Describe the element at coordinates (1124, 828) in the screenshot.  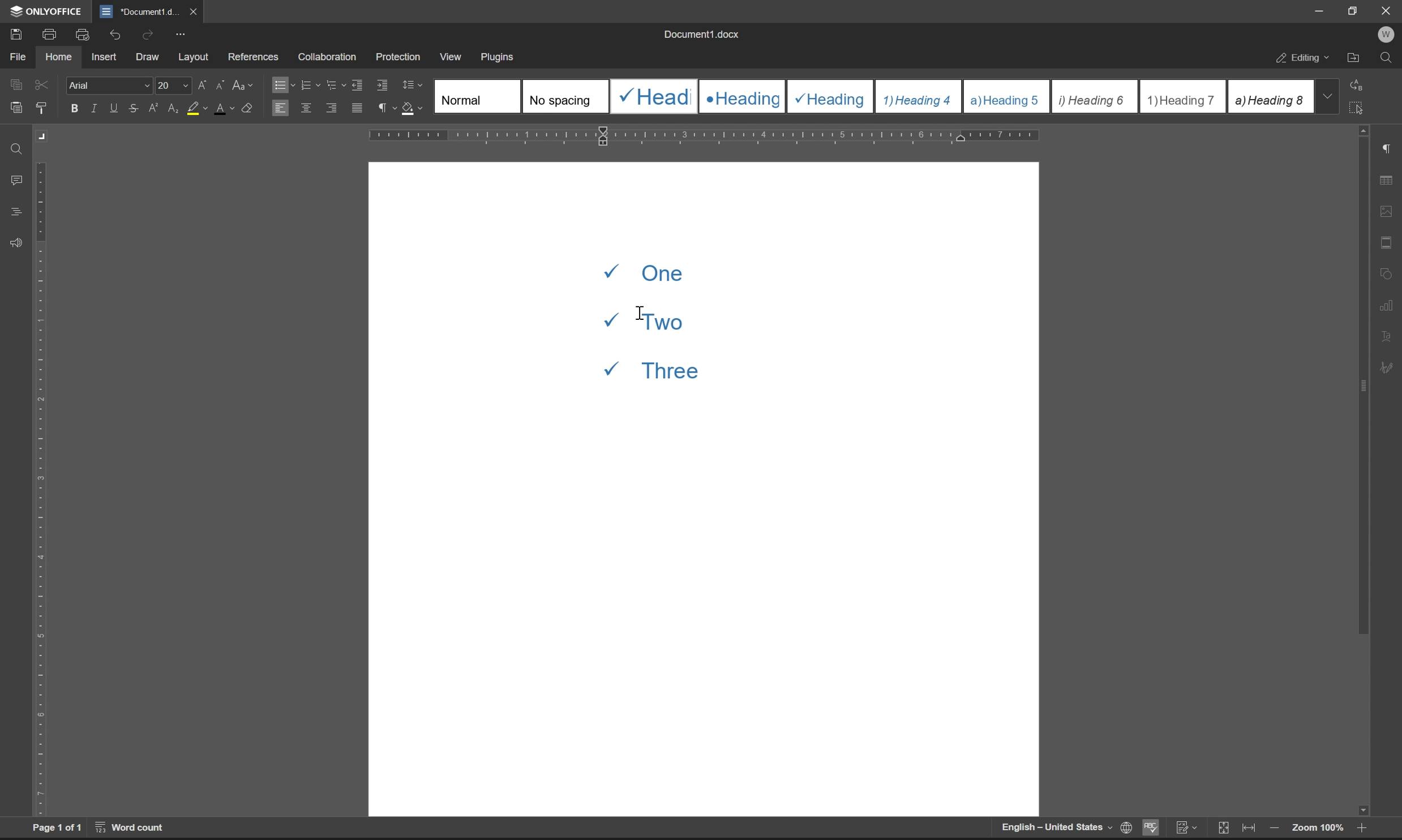
I see `set document language` at that location.